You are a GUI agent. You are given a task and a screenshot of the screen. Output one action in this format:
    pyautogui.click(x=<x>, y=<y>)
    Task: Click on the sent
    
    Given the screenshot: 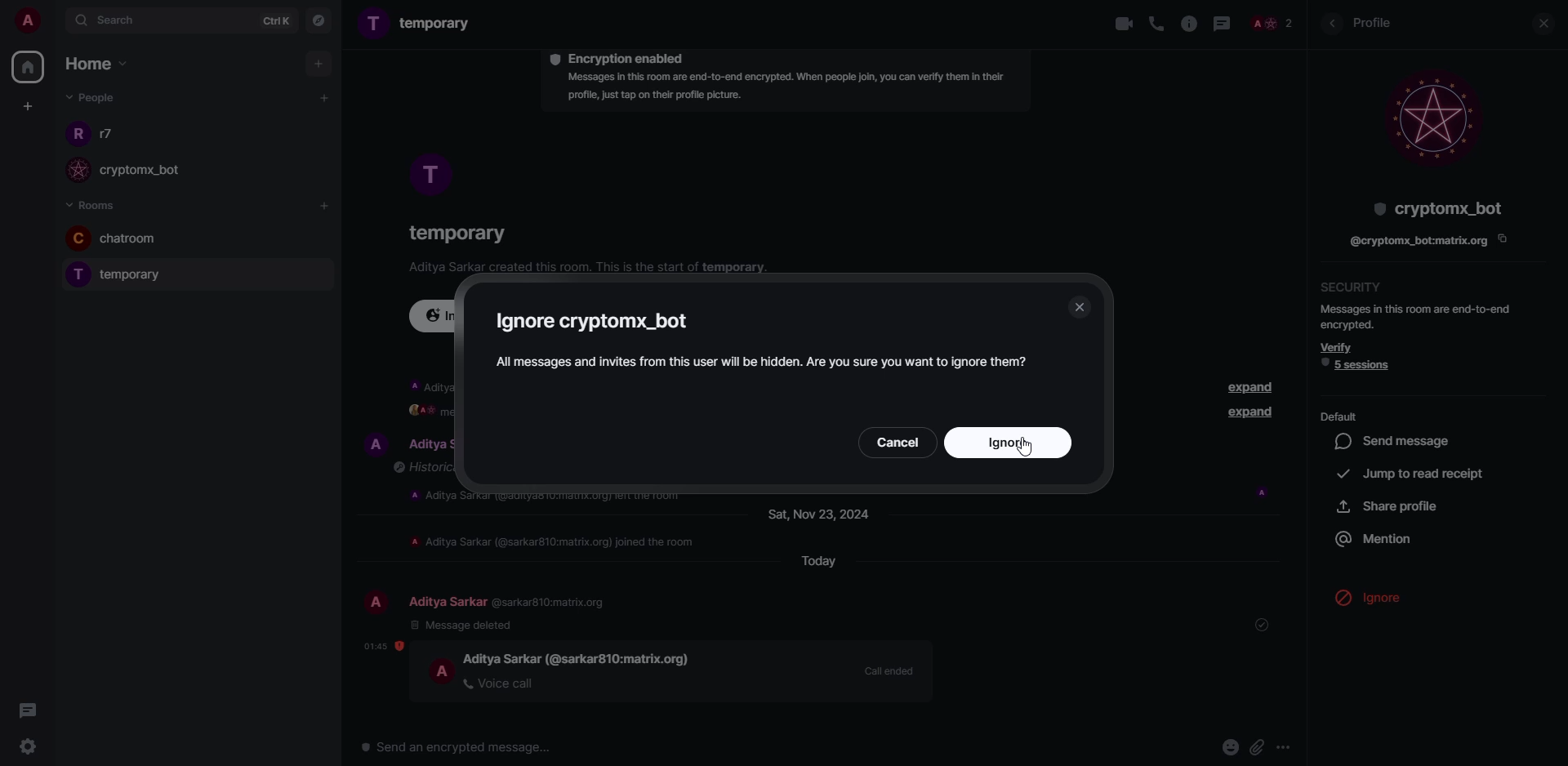 What is the action you would take?
    pyautogui.click(x=1267, y=624)
    